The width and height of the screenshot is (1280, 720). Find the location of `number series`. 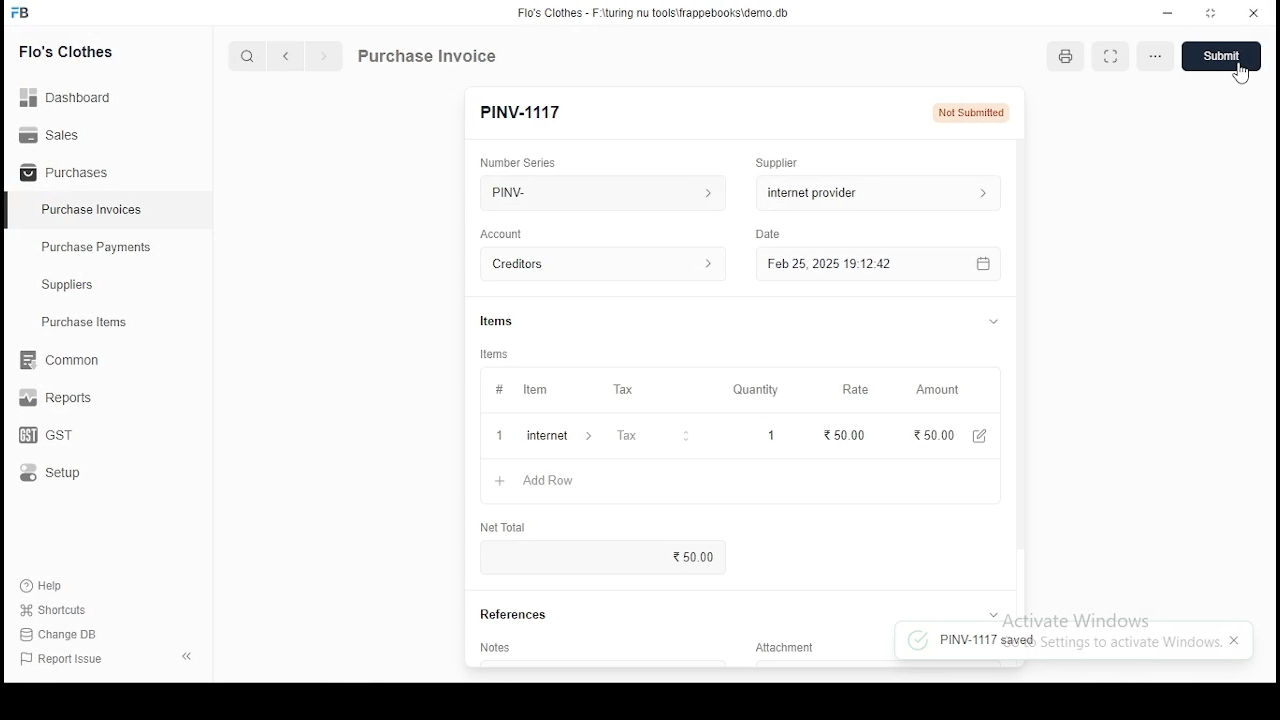

number series is located at coordinates (519, 162).